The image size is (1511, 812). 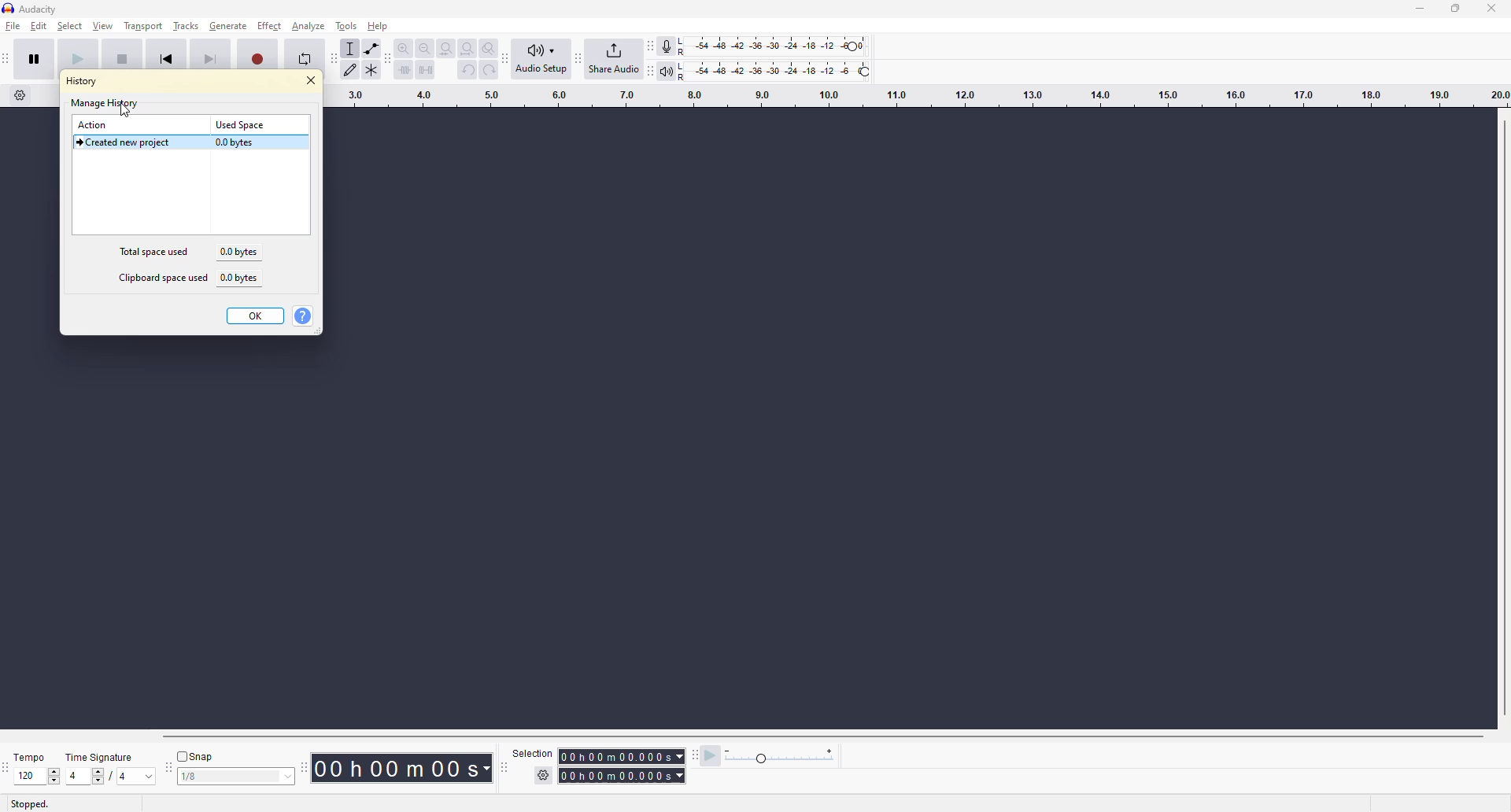 I want to click on playback speed, so click(x=789, y=758).